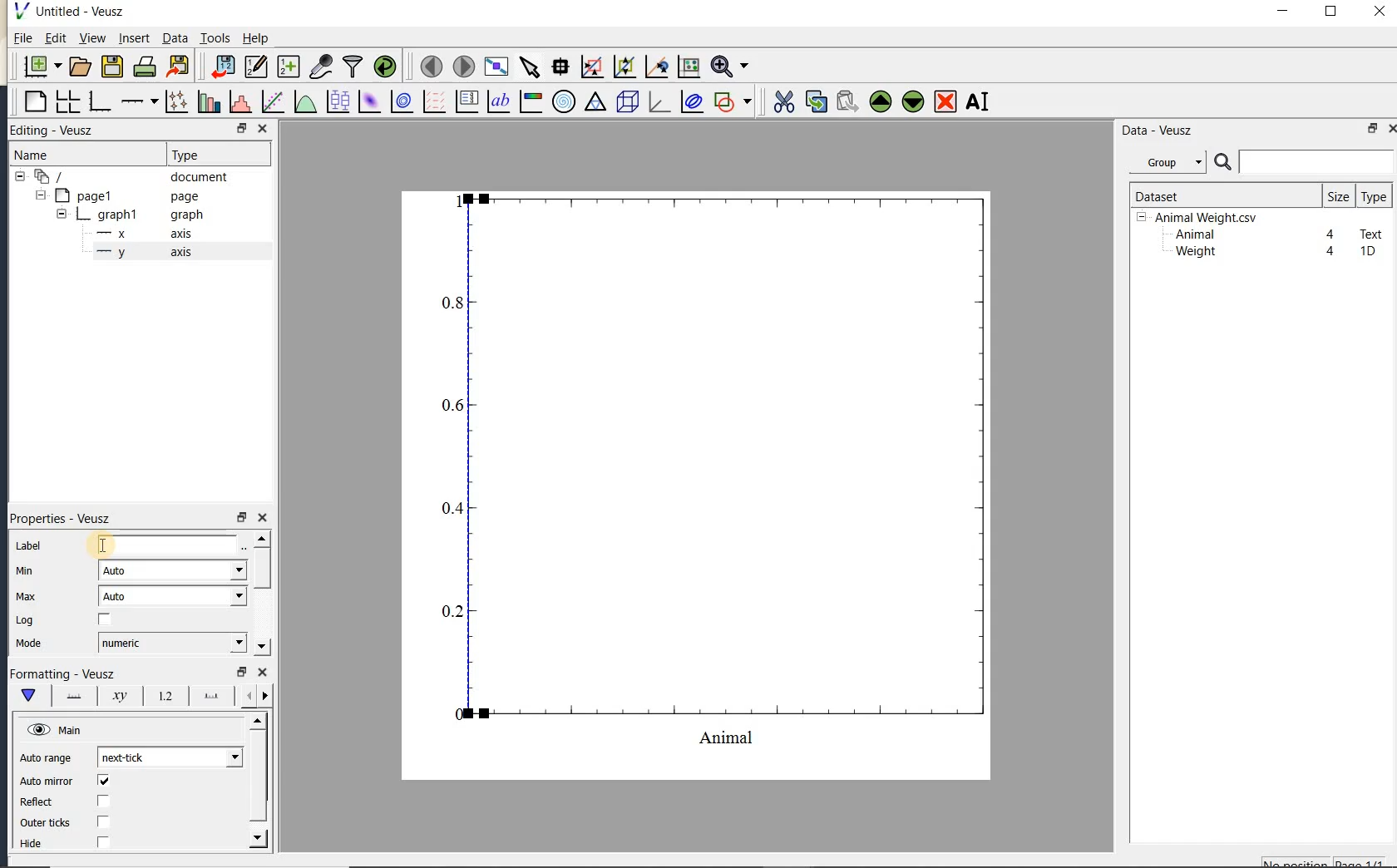  What do you see at coordinates (847, 103) in the screenshot?
I see `paste widget from the clipboard` at bounding box center [847, 103].